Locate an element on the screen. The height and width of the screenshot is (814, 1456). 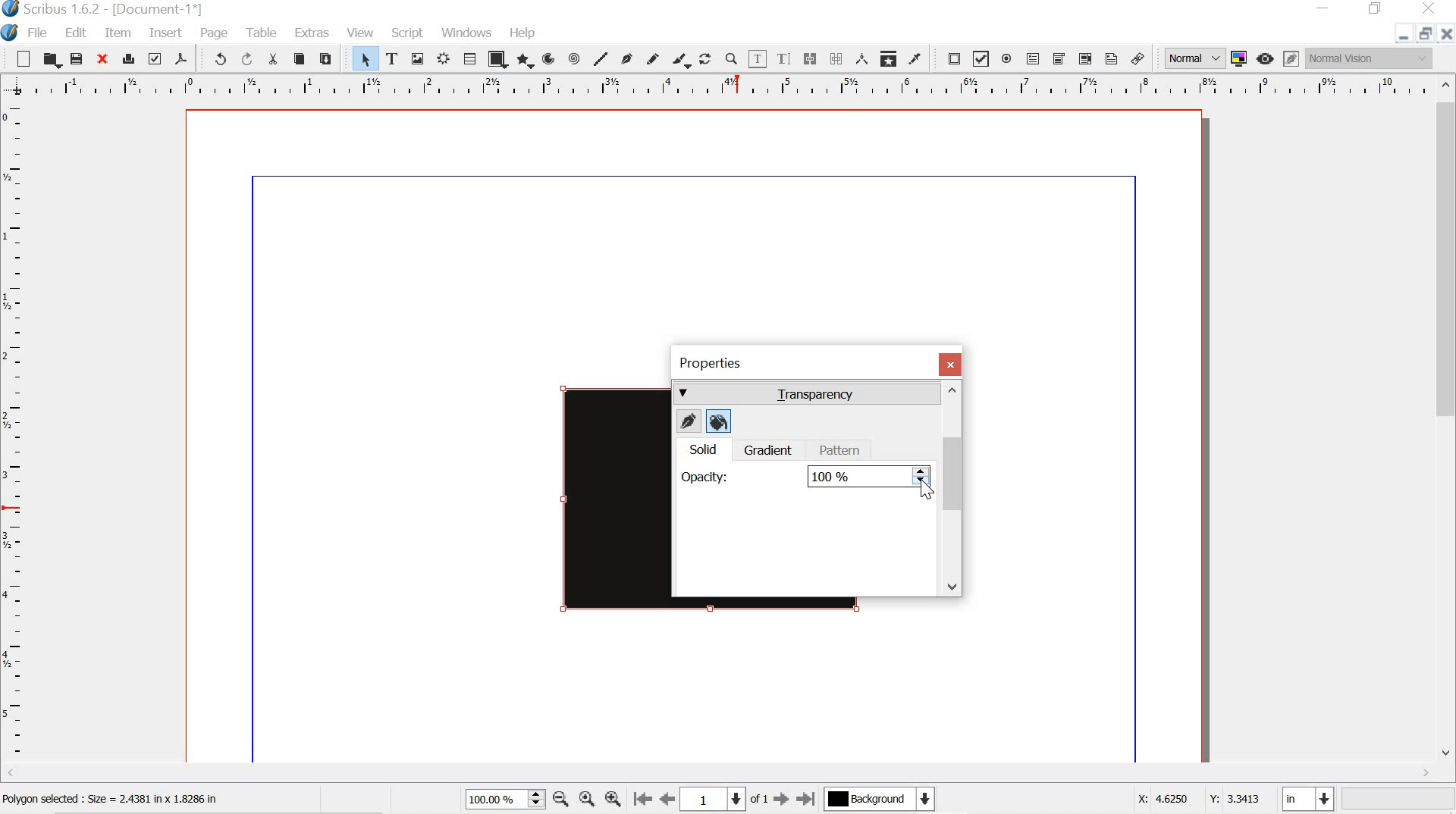
unlink text frames is located at coordinates (834, 58).